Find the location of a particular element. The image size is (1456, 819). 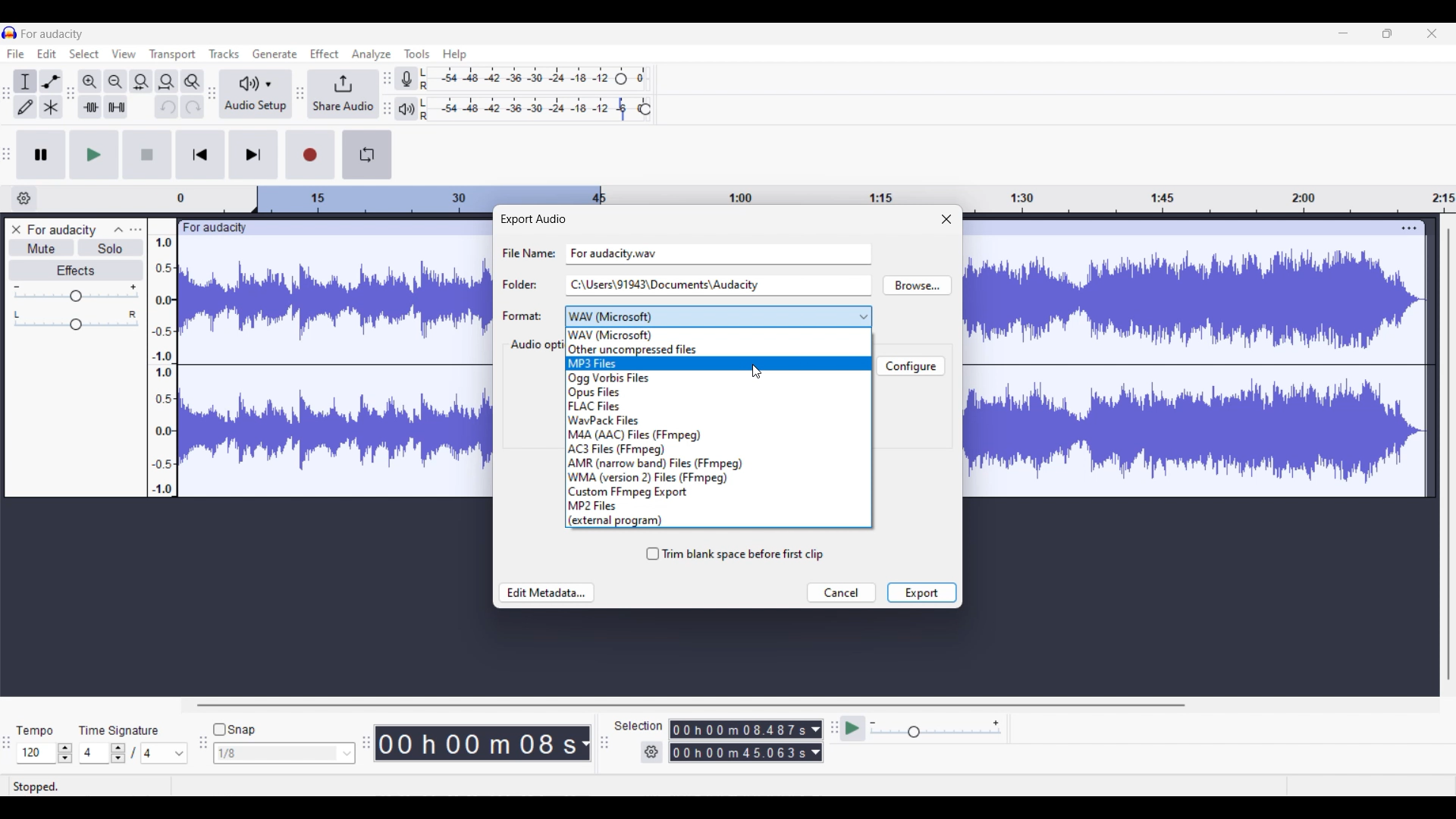

Current timestamp of track is located at coordinates (473, 743).